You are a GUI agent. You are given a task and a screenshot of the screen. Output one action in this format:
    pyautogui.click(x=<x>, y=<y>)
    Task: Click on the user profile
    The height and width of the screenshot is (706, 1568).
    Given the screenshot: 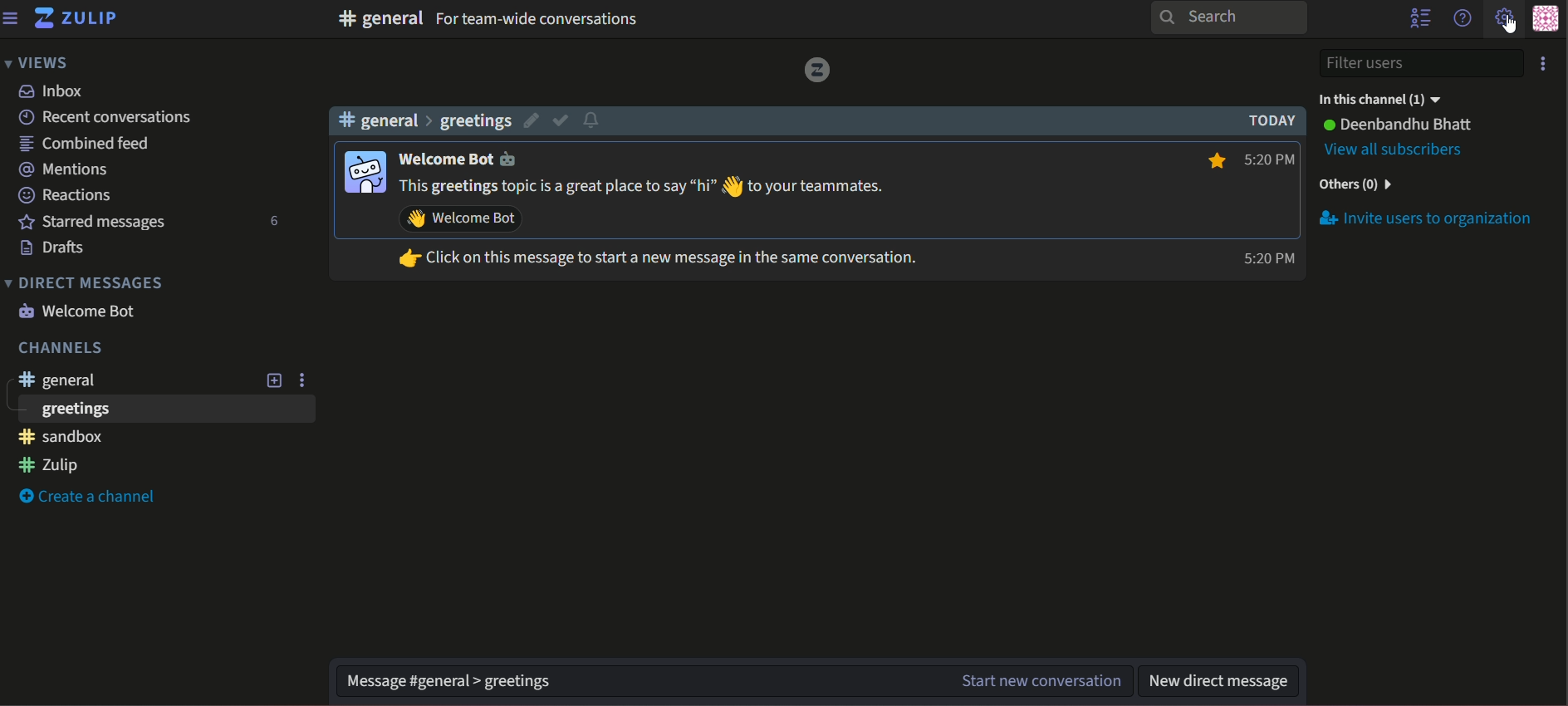 What is the action you would take?
    pyautogui.click(x=362, y=170)
    